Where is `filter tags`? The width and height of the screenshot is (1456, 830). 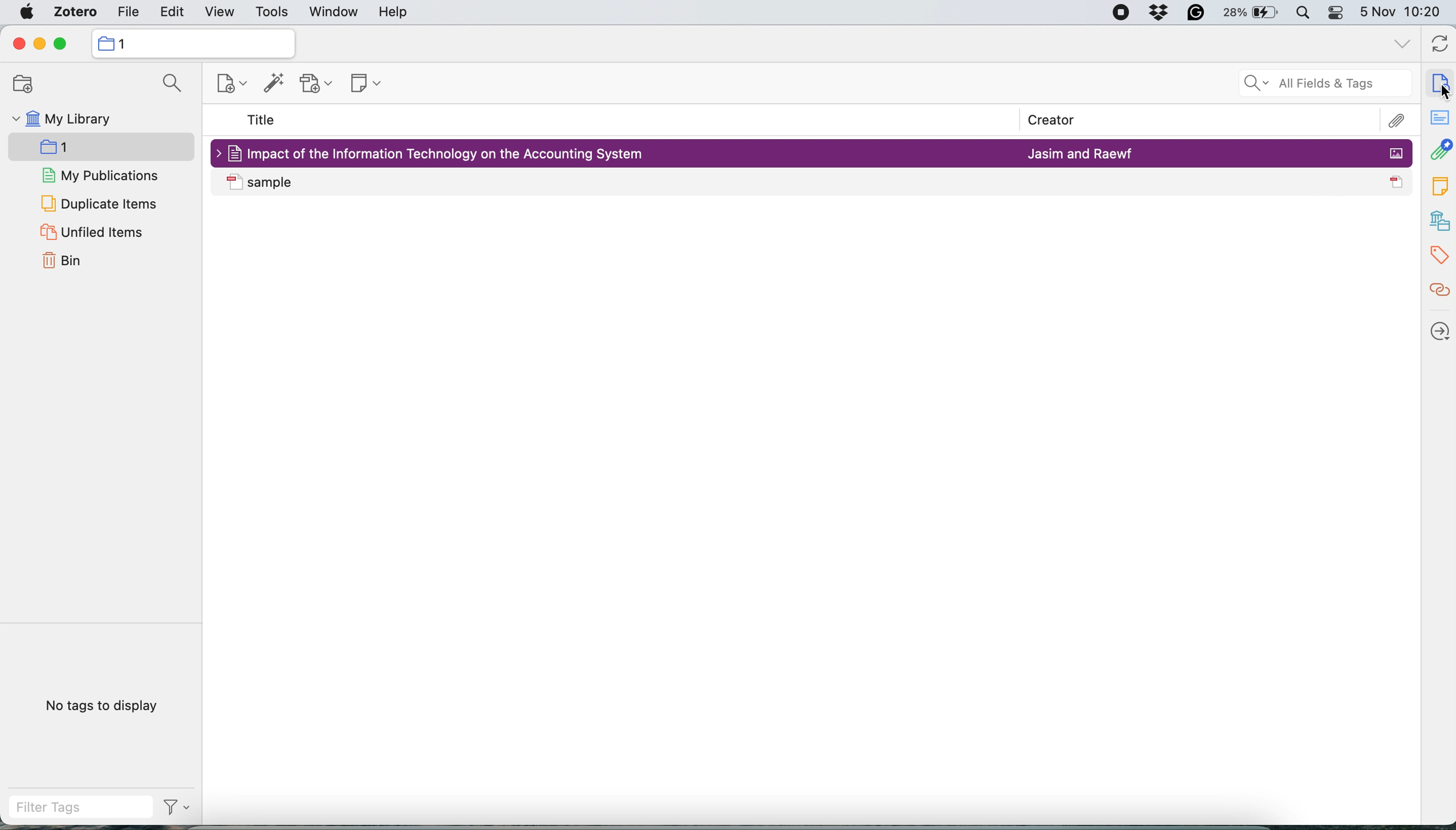
filter tags is located at coordinates (175, 807).